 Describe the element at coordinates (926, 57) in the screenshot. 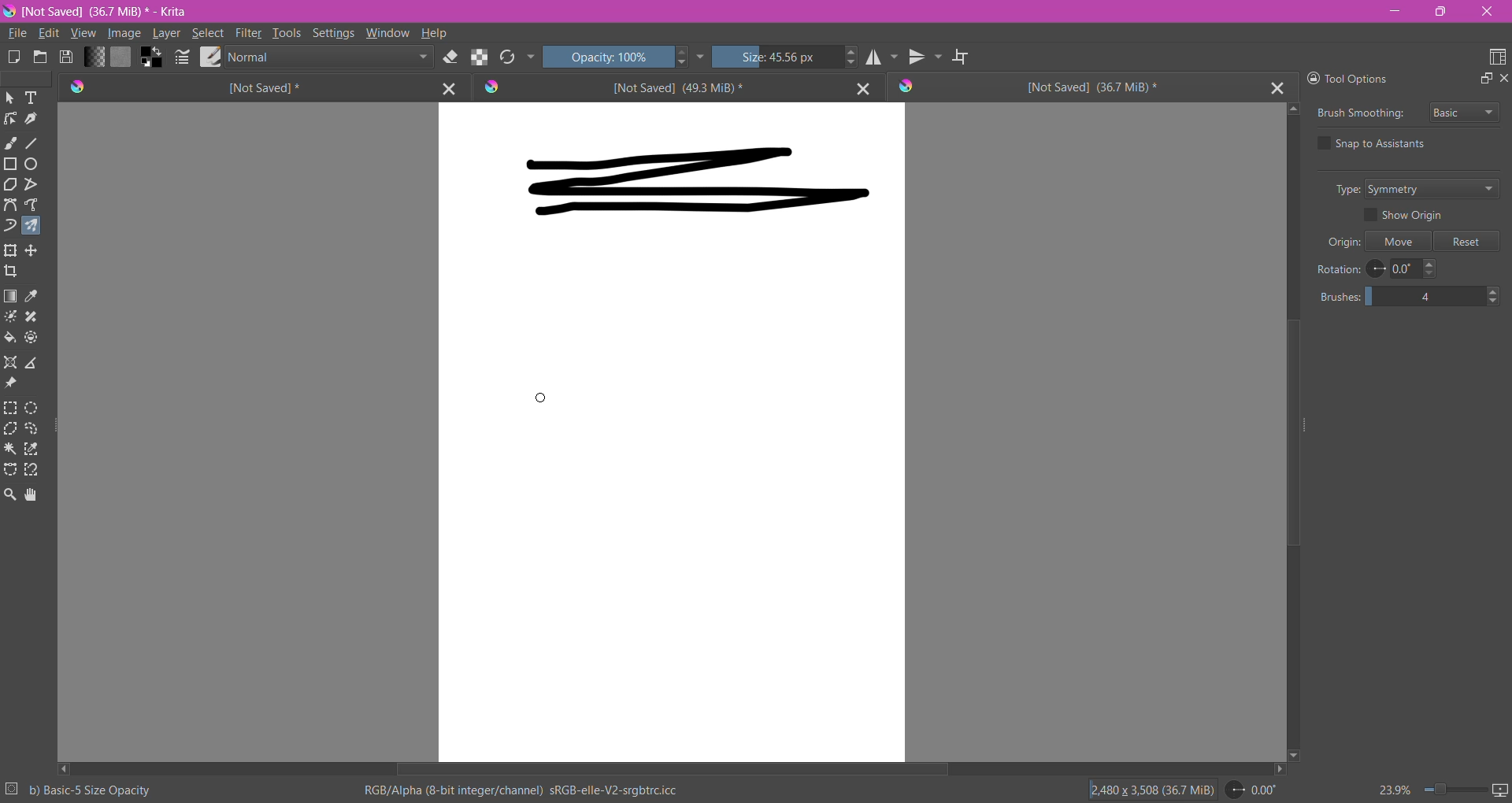

I see `Vertical Mirror Tool` at that location.